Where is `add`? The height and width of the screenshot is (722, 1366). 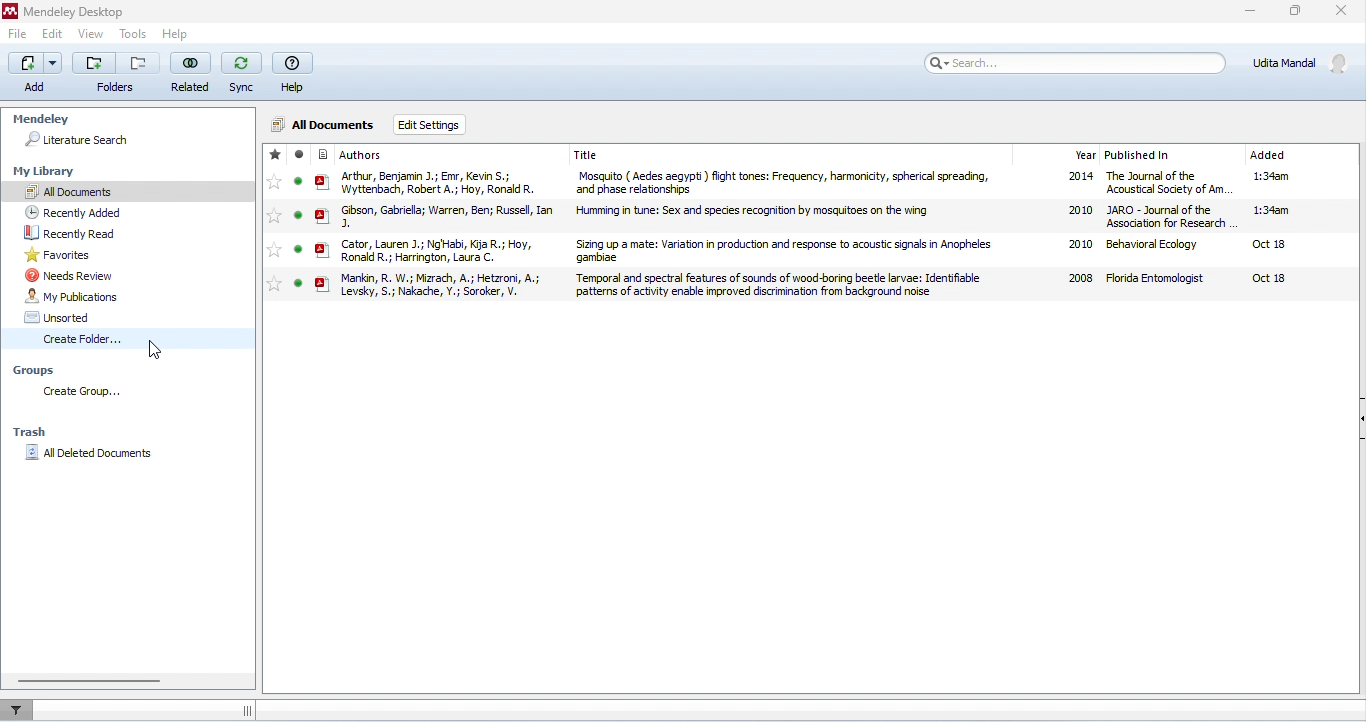
add is located at coordinates (28, 72).